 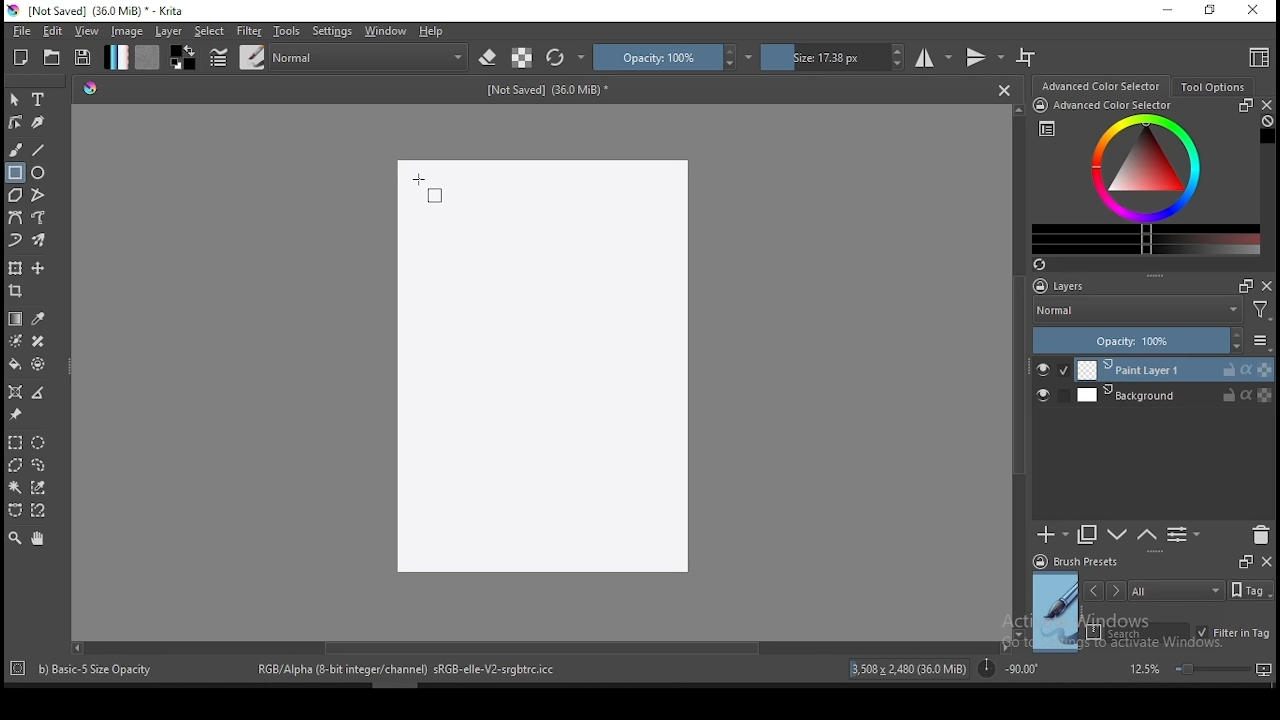 I want to click on wrap around mode, so click(x=1027, y=57).